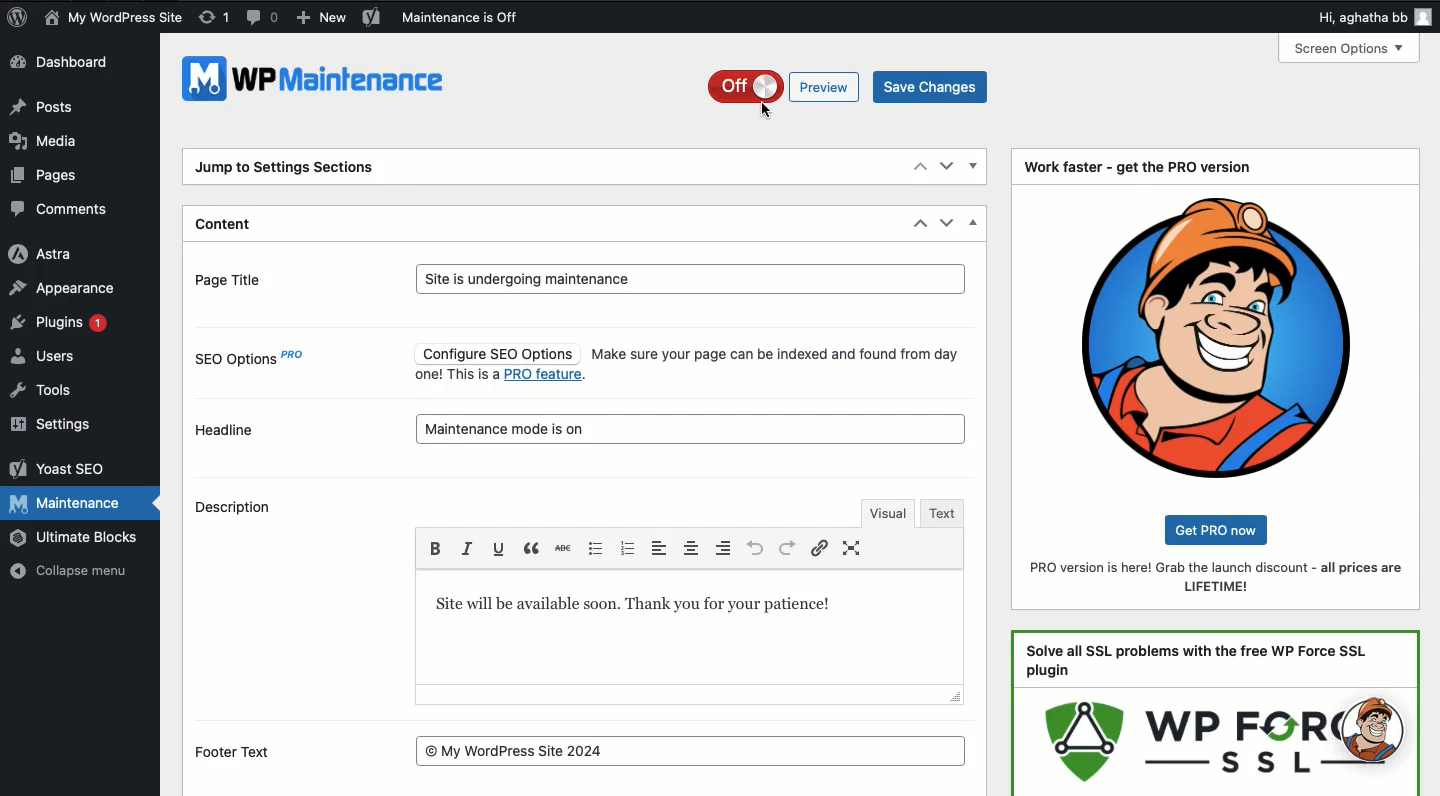  I want to click on Text, so click(944, 513).